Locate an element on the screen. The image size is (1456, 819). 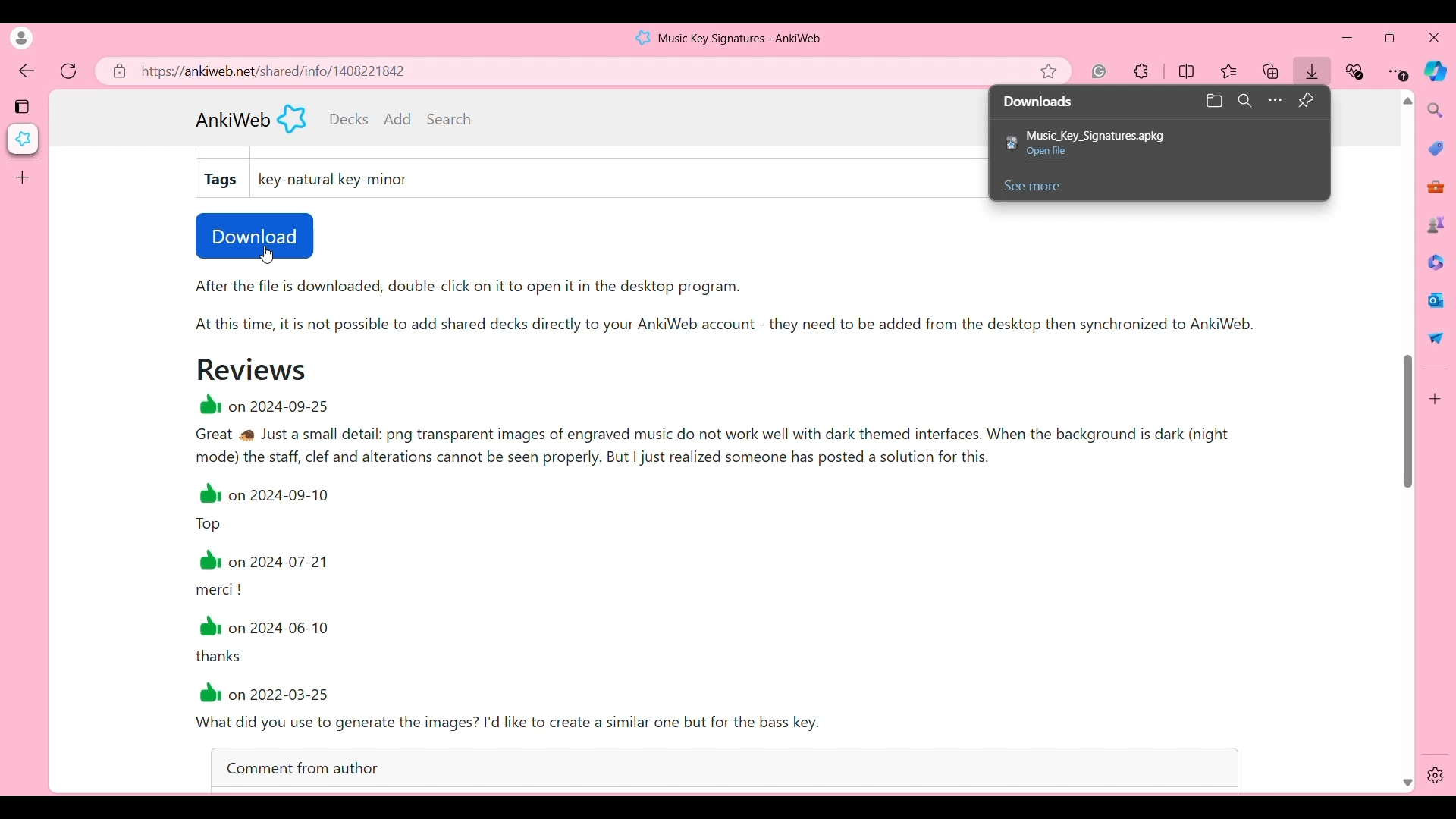
Click to go back is located at coordinates (27, 72).